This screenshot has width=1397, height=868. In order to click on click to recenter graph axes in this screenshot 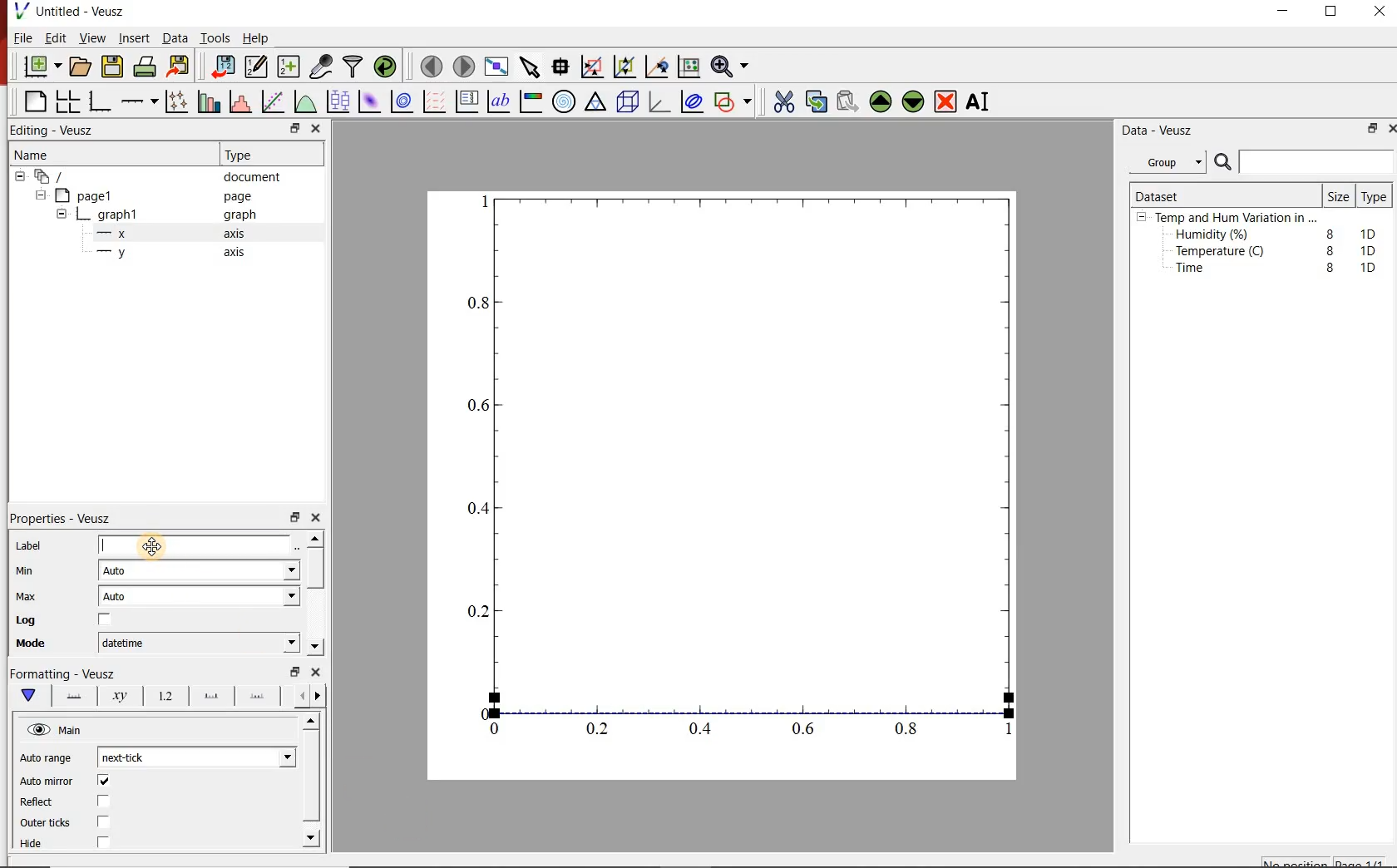, I will do `click(657, 67)`.